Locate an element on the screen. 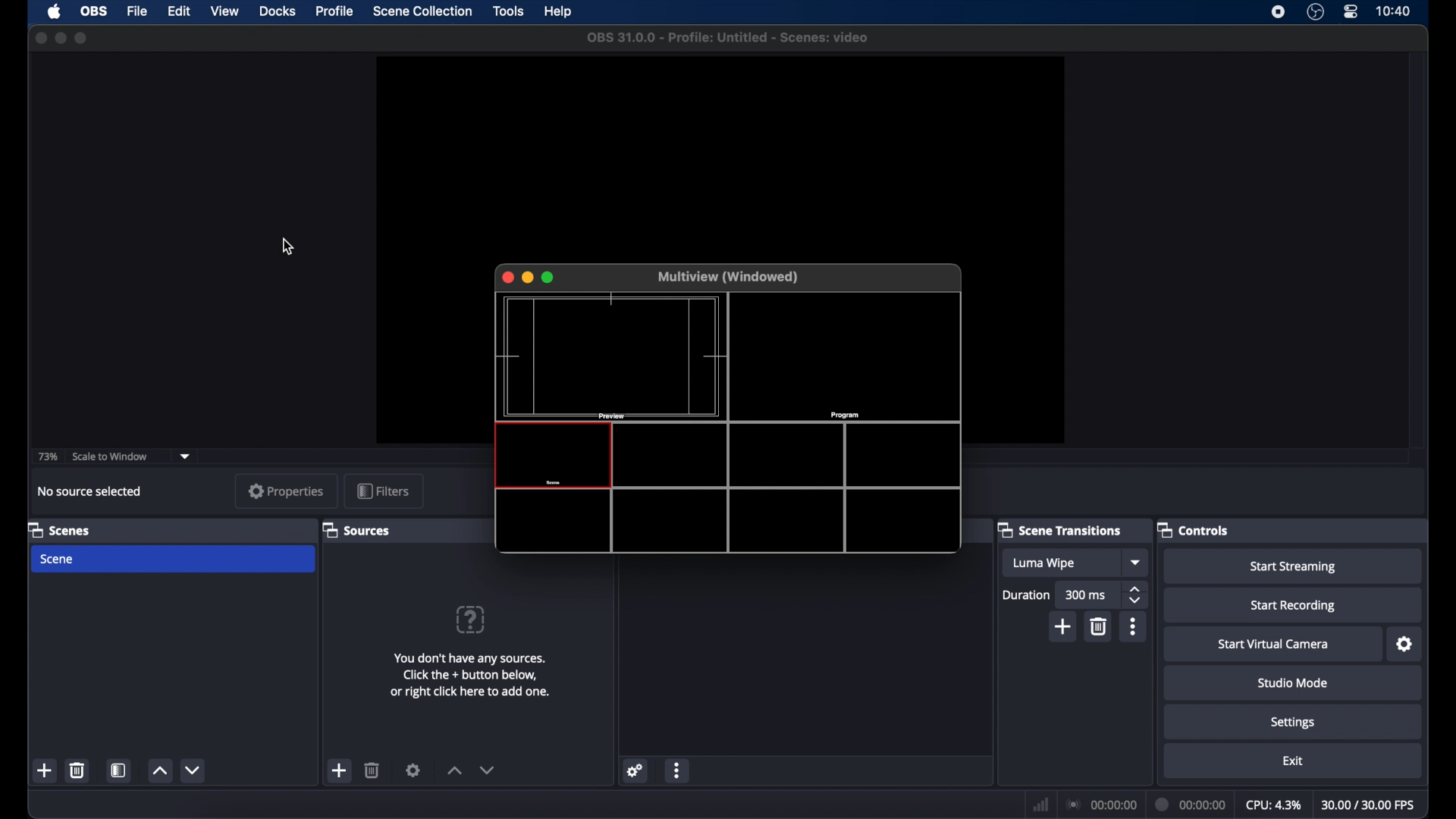  close is located at coordinates (507, 276).